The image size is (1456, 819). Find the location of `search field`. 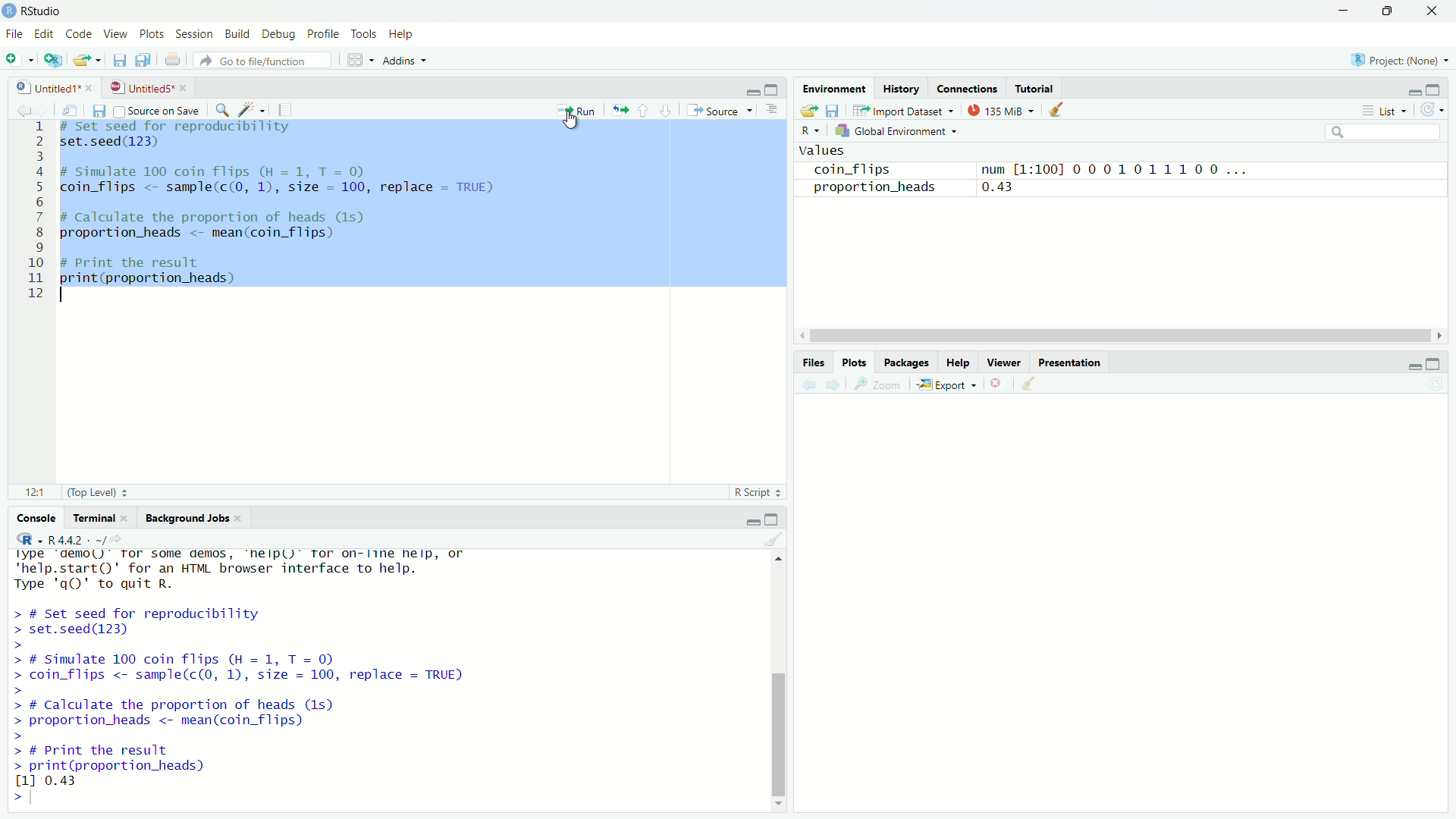

search field is located at coordinates (1384, 131).